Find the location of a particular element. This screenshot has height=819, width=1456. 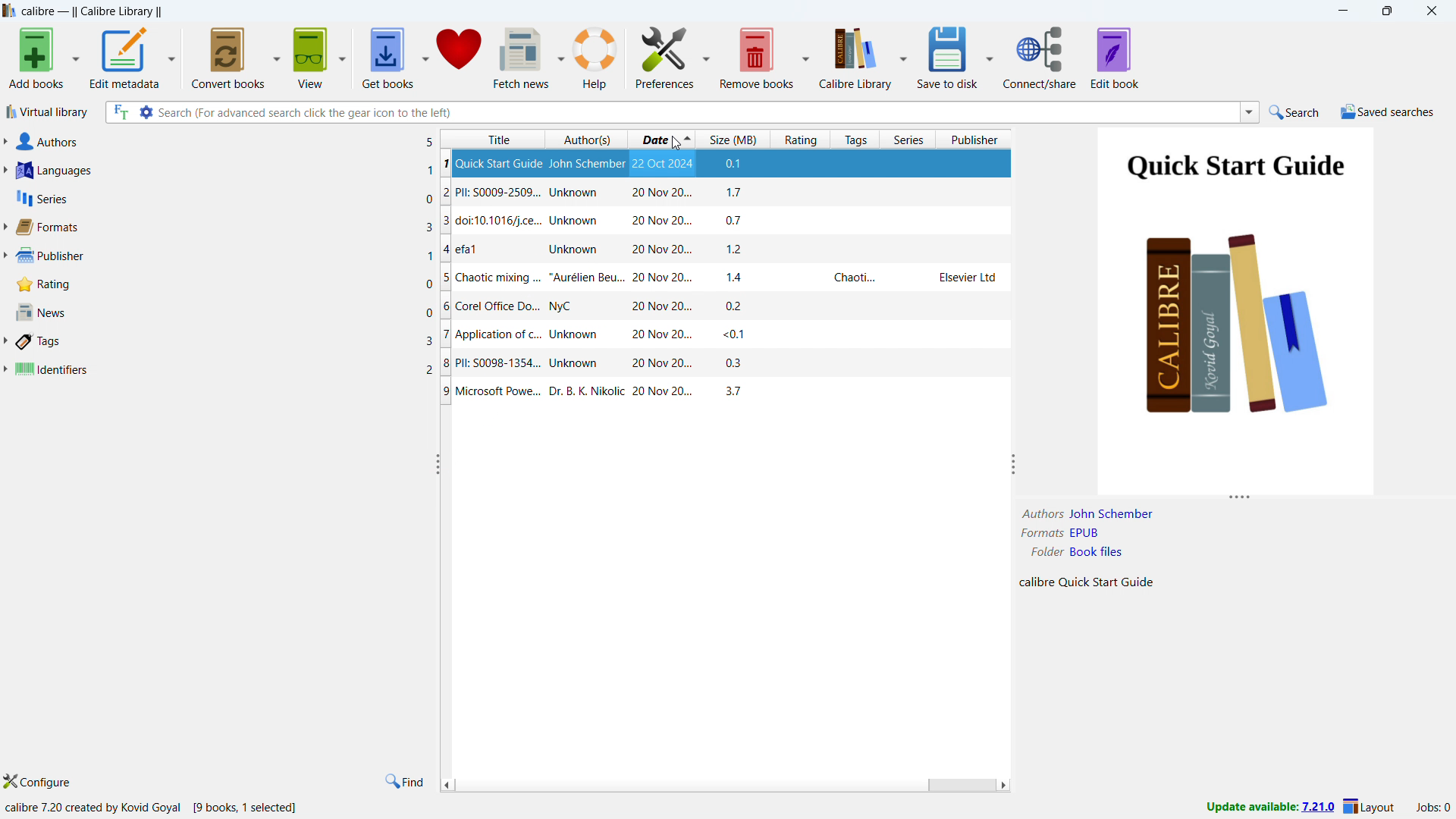

add books is located at coordinates (36, 58).